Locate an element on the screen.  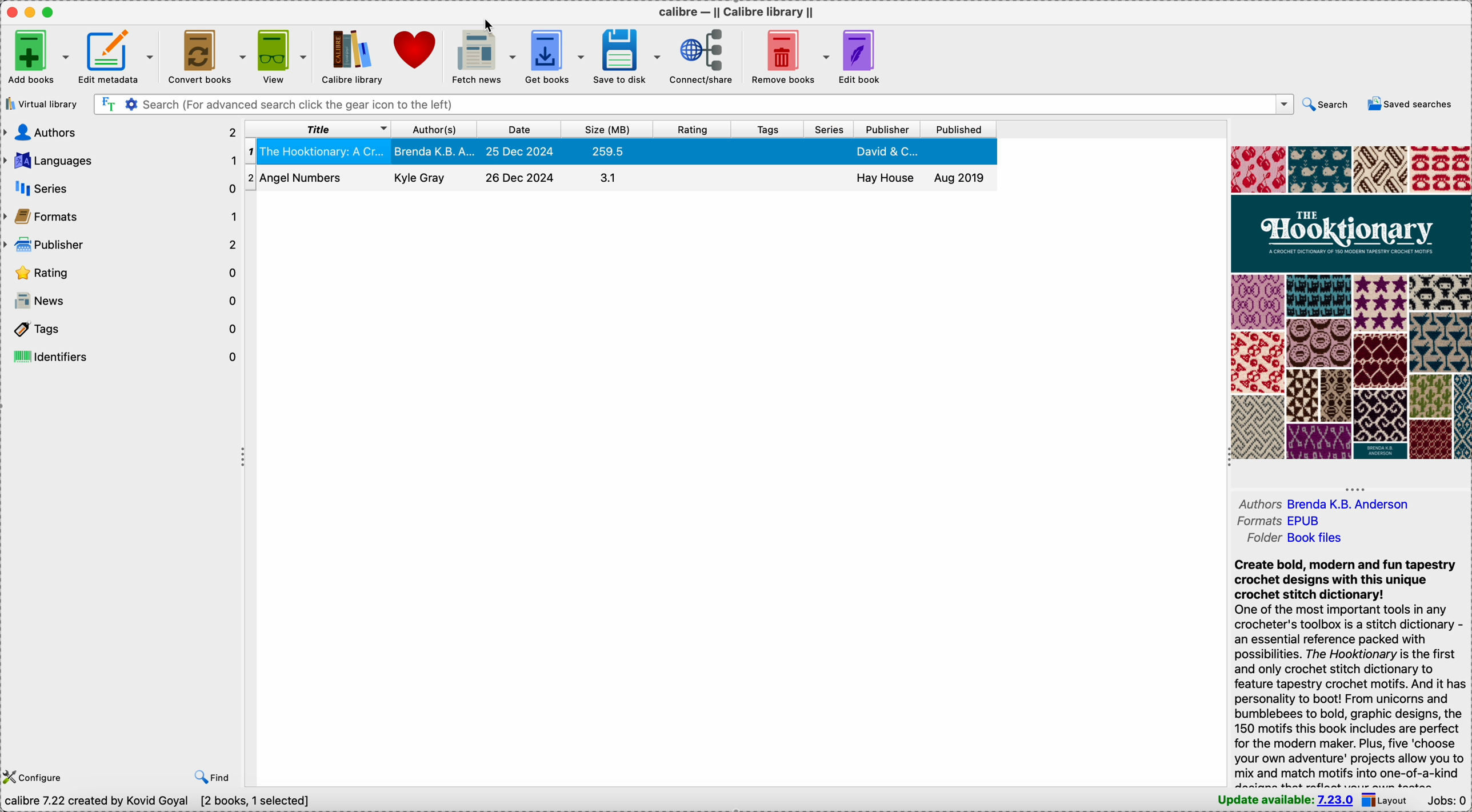
add books is located at coordinates (38, 56).